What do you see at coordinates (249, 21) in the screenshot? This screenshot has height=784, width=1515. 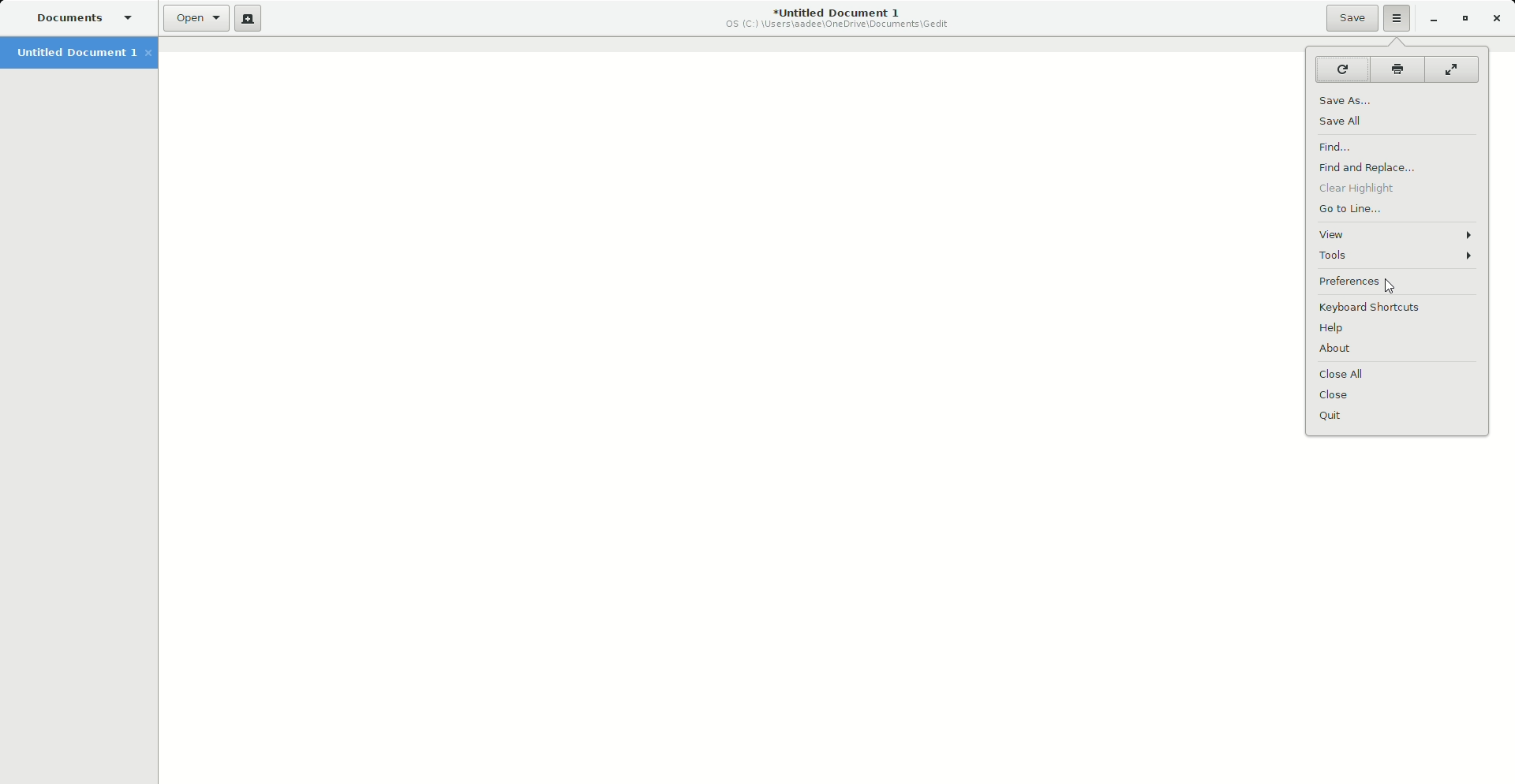 I see `New` at bounding box center [249, 21].